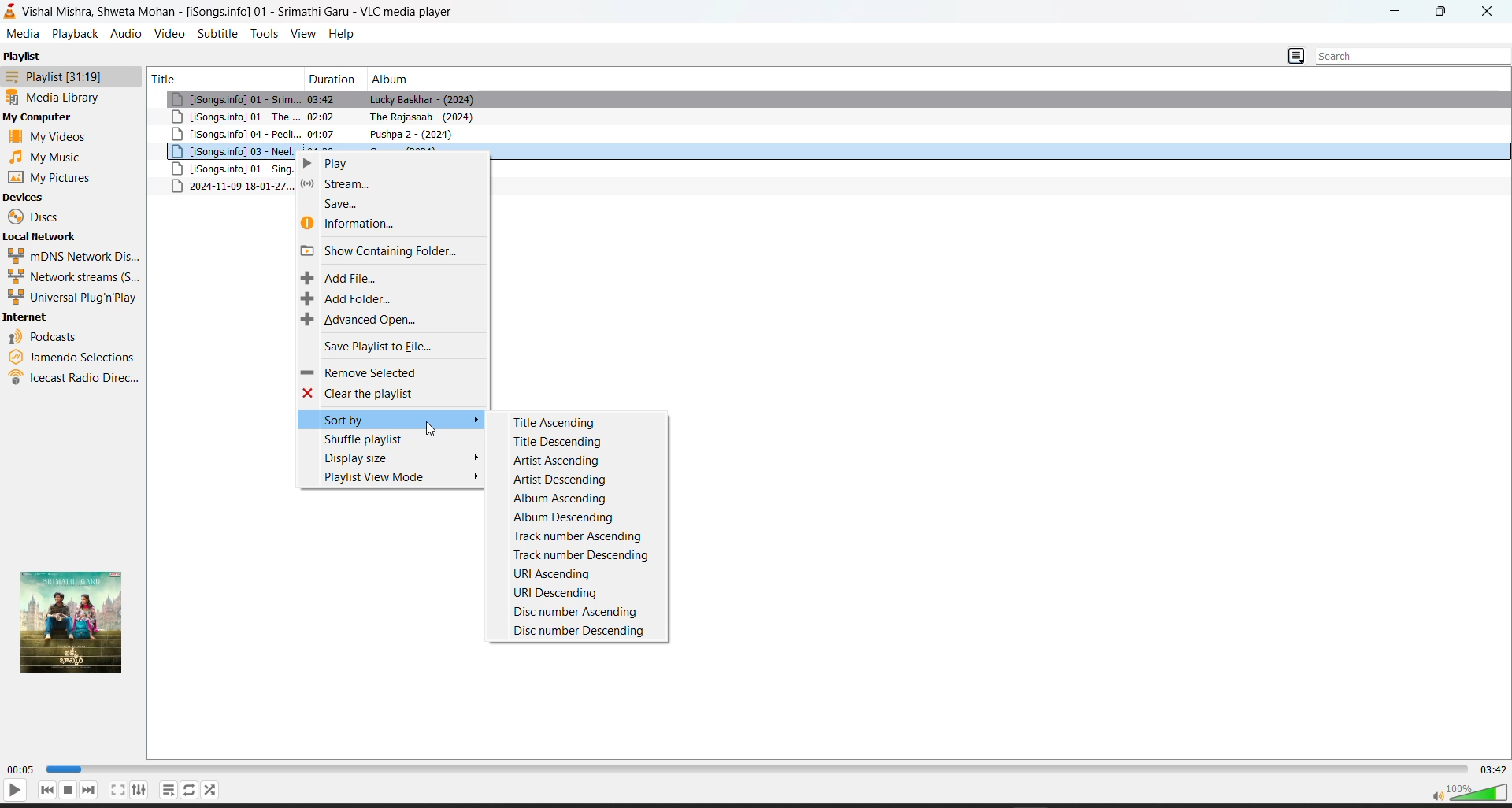 This screenshot has height=808, width=1512. I want to click on playlist view mode, so click(391, 479).